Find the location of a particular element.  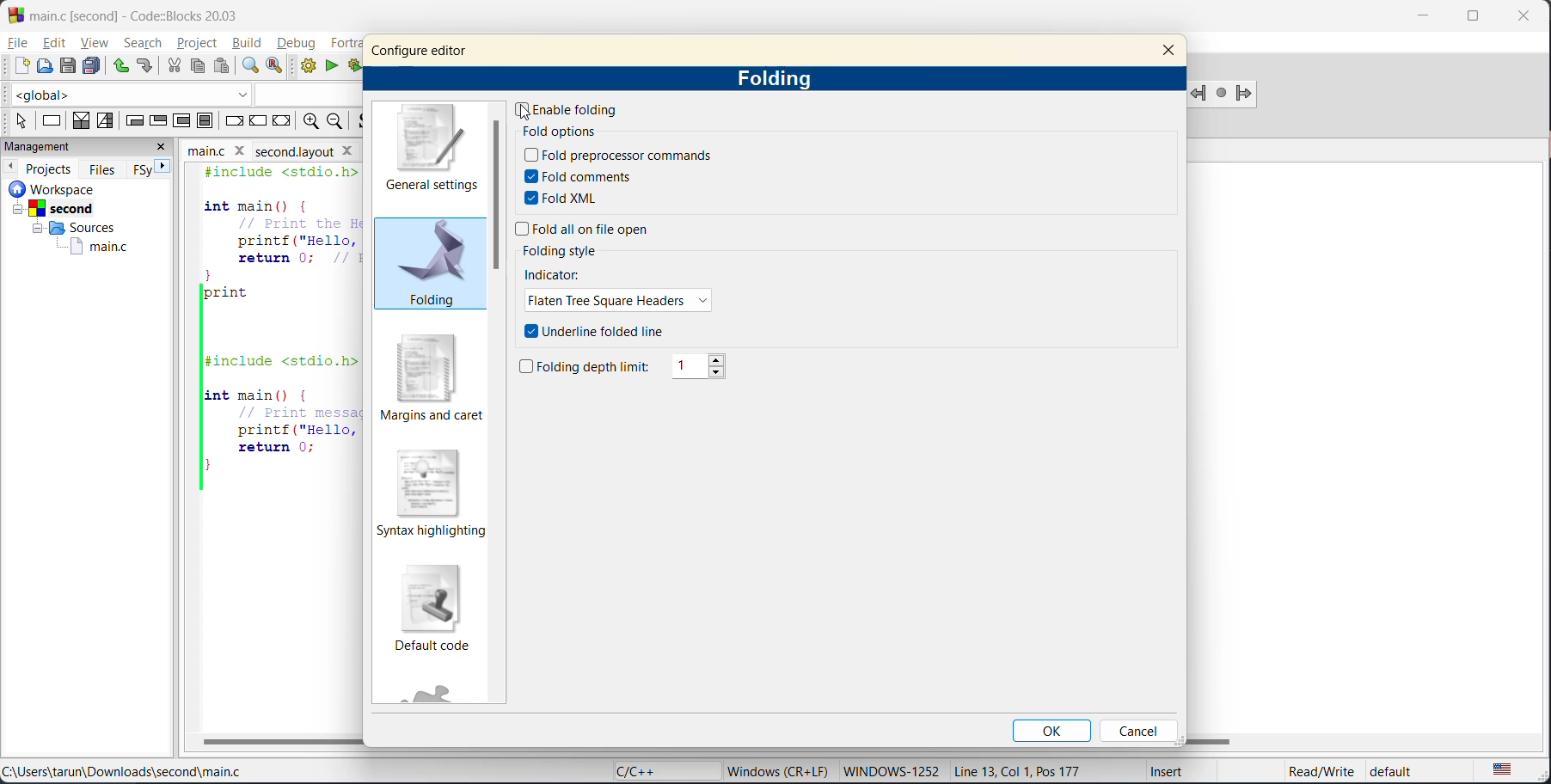

fortran is located at coordinates (346, 45).